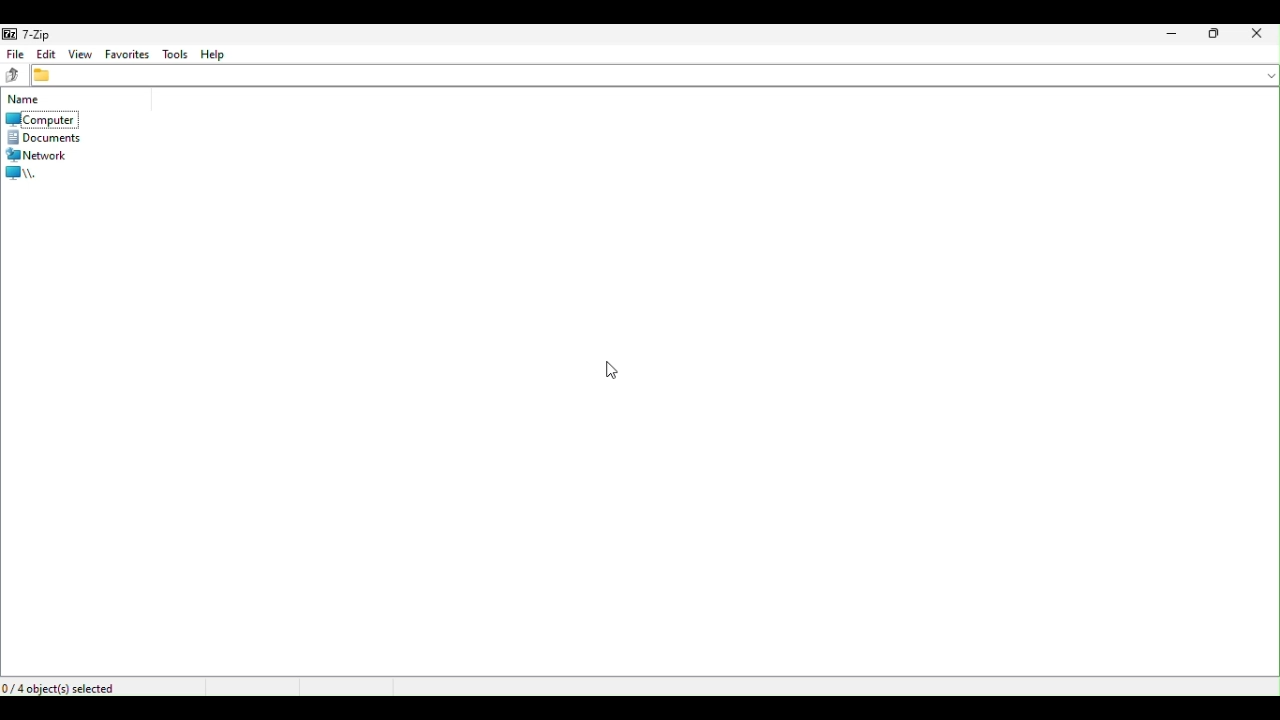 The height and width of the screenshot is (720, 1280). What do you see at coordinates (1215, 37) in the screenshot?
I see `Restore` at bounding box center [1215, 37].